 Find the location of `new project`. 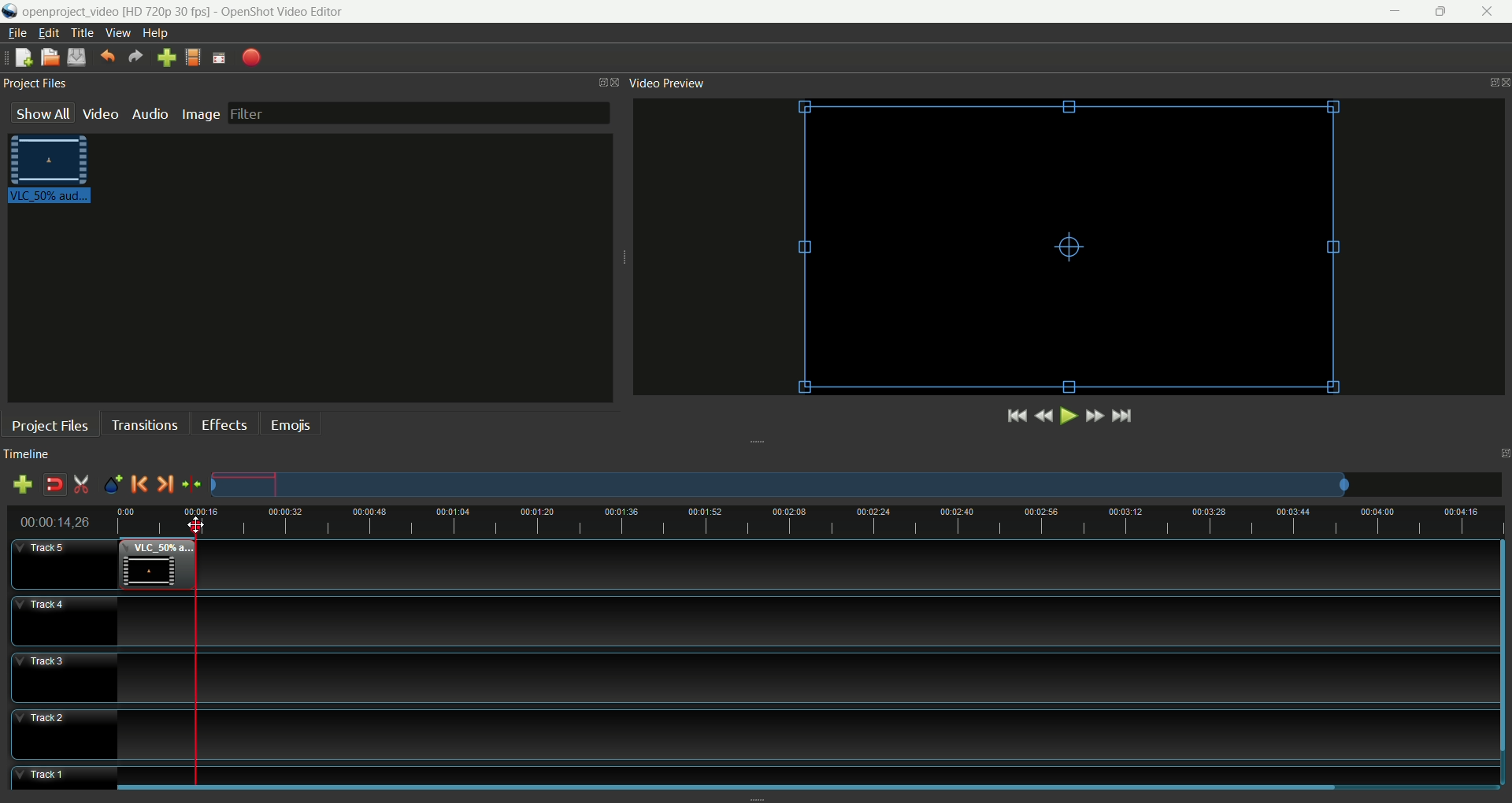

new project is located at coordinates (24, 57).